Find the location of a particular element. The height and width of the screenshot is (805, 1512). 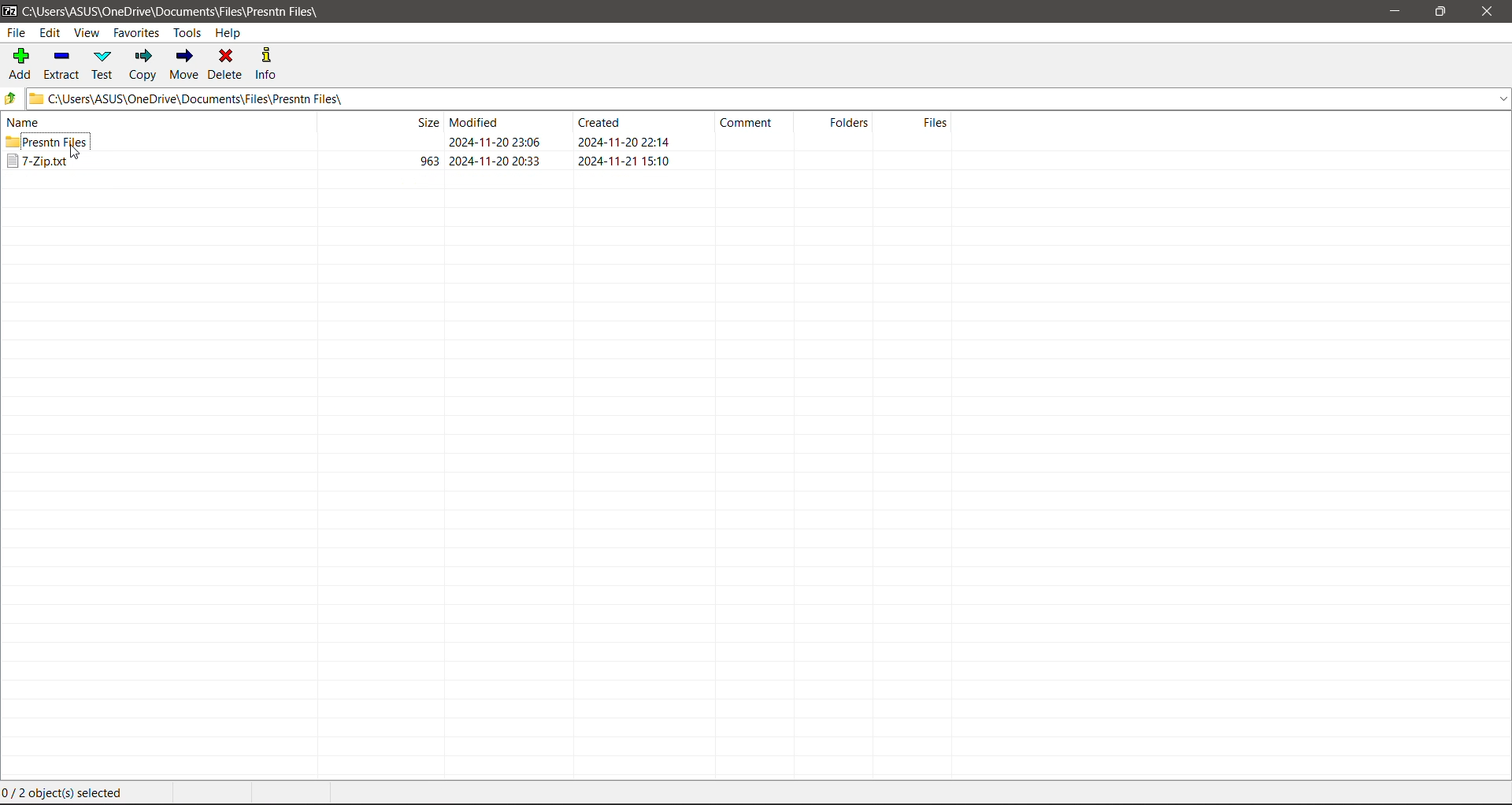

cursor is located at coordinates (71, 151).